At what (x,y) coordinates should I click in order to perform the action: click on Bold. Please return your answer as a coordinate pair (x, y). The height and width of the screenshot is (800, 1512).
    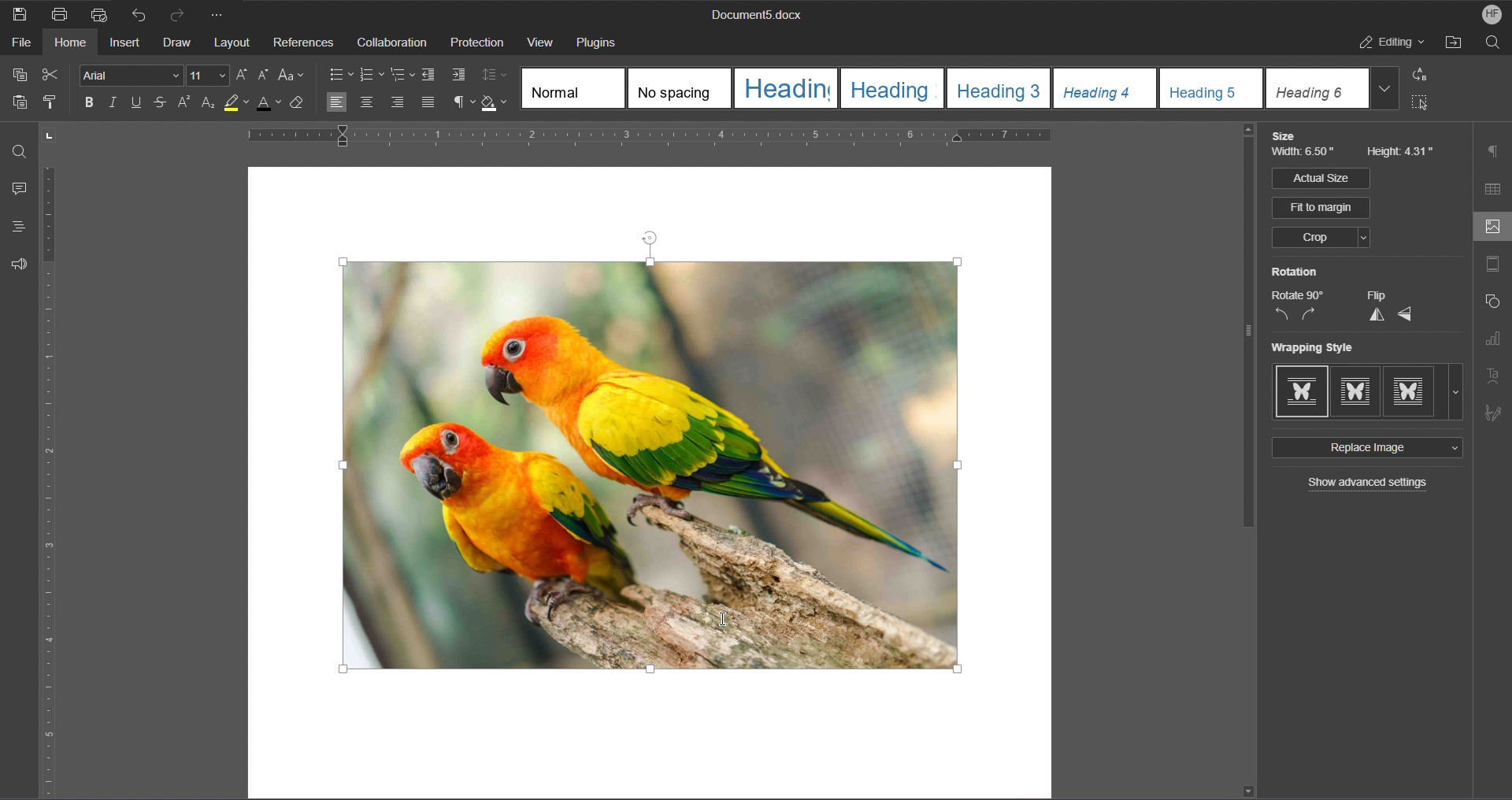
    Looking at the image, I should click on (87, 102).